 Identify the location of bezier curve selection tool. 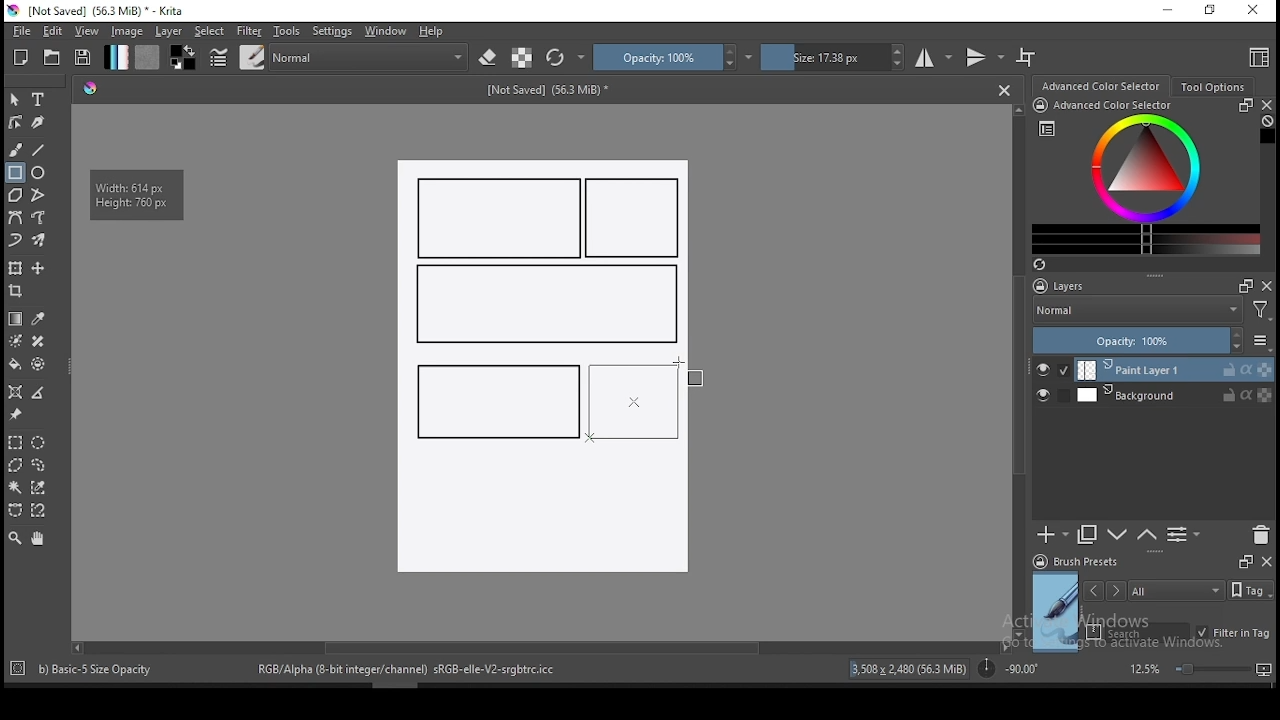
(15, 511).